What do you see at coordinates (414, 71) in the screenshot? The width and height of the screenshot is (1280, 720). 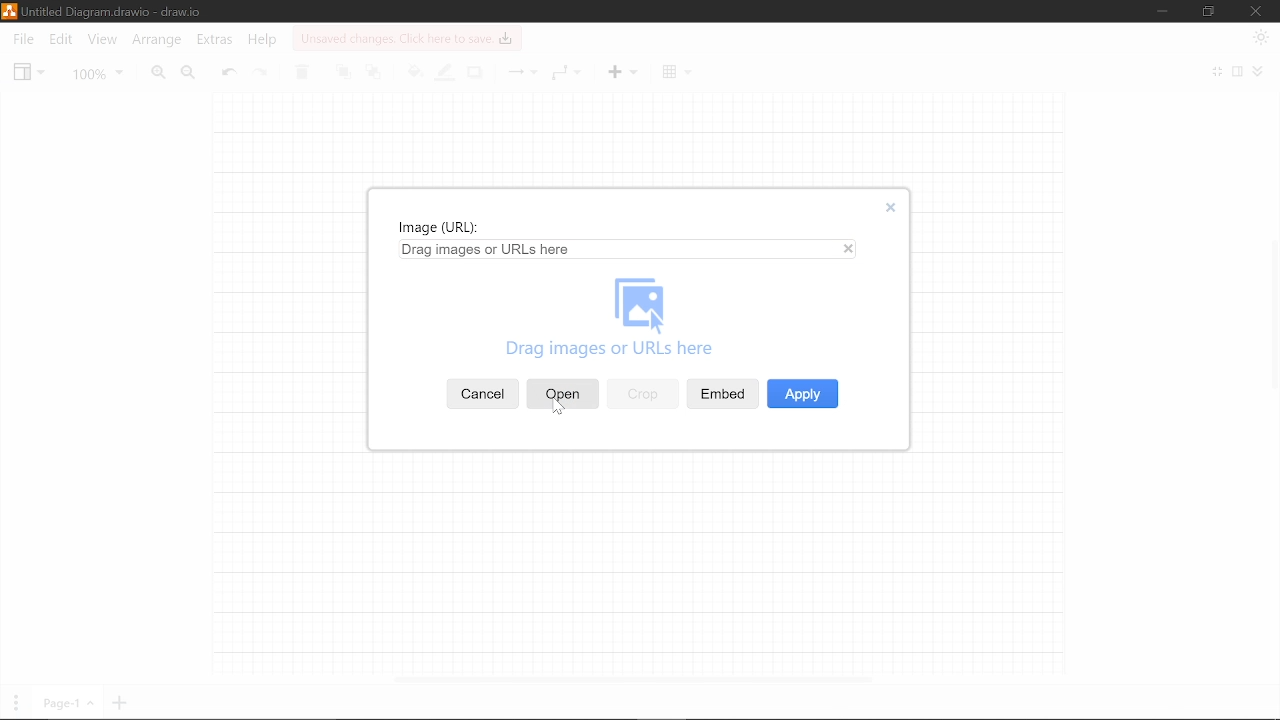 I see `Fill color` at bounding box center [414, 71].